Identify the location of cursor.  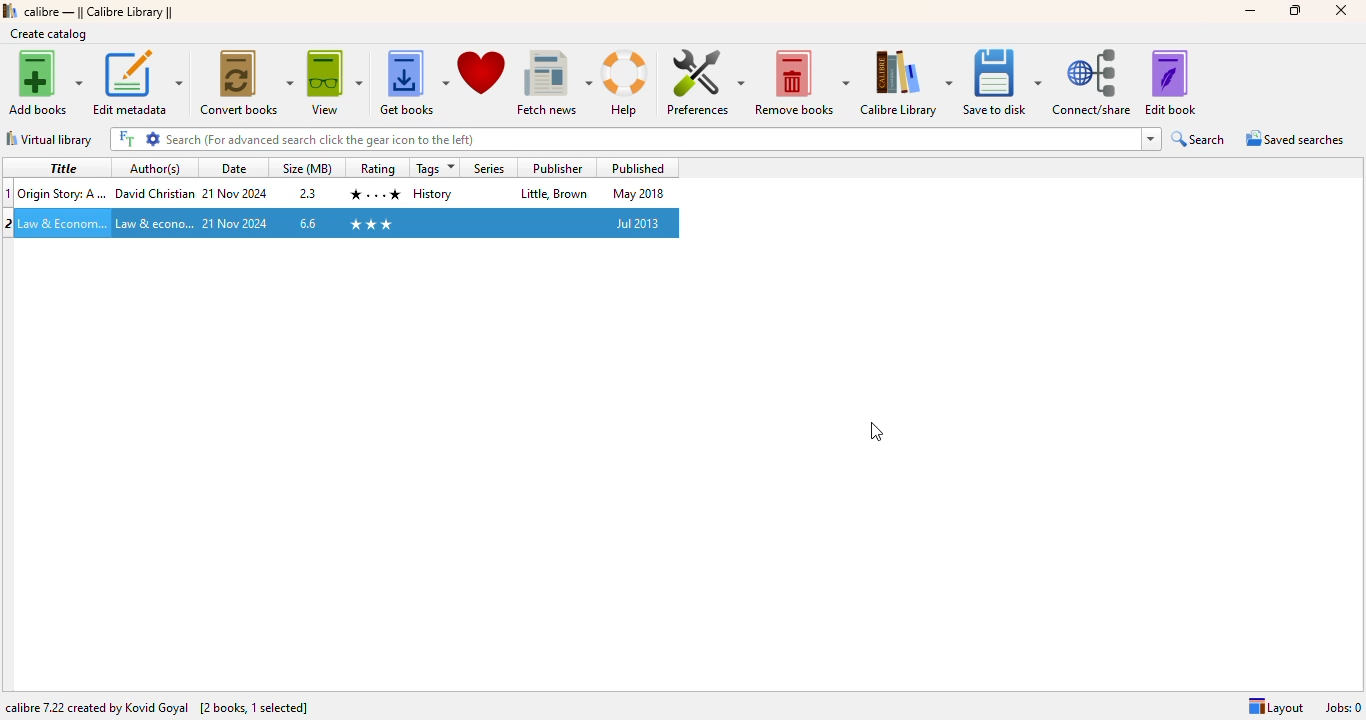
(104, 246).